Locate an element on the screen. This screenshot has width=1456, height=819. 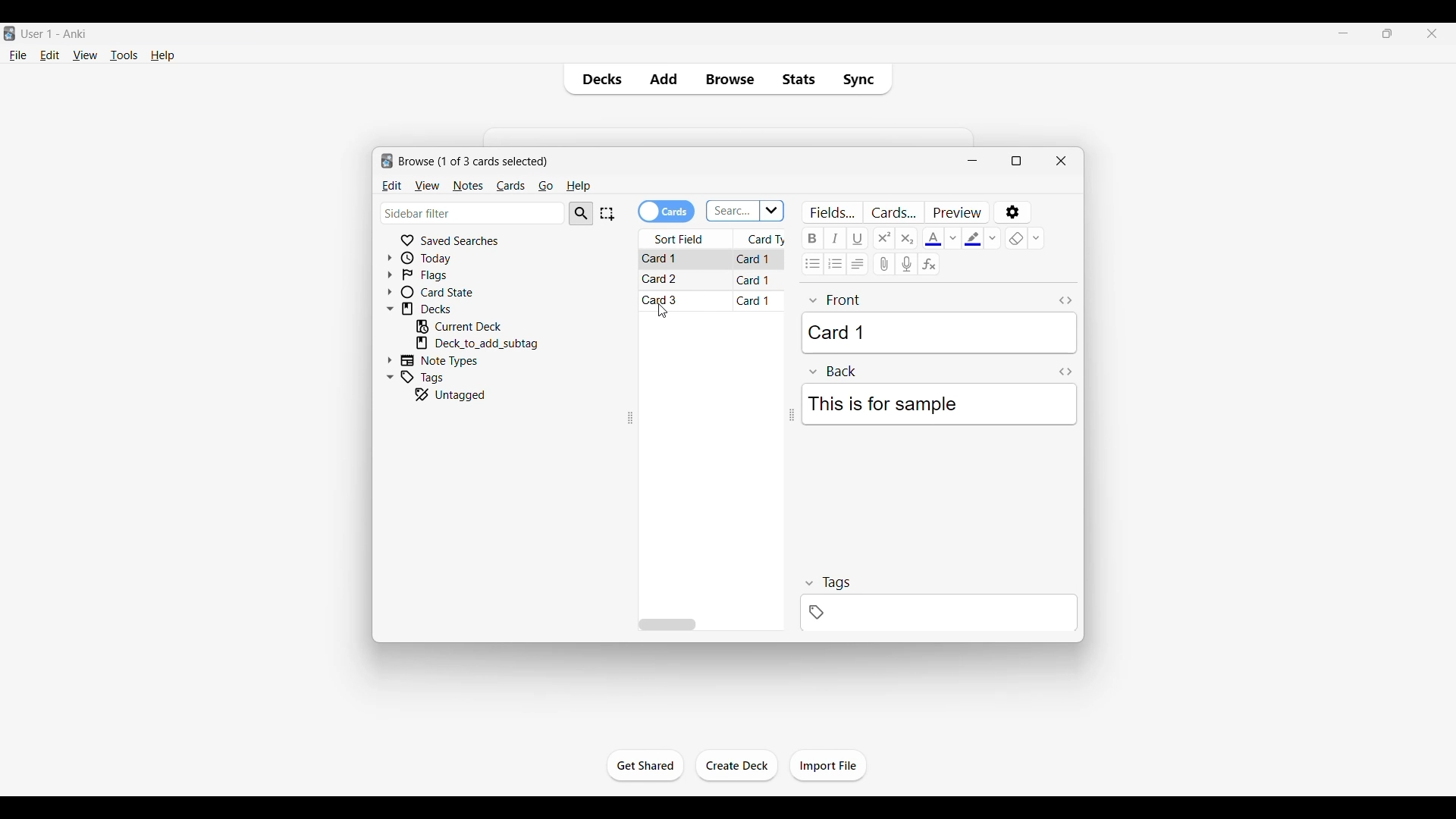
Edit menu is located at coordinates (50, 55).